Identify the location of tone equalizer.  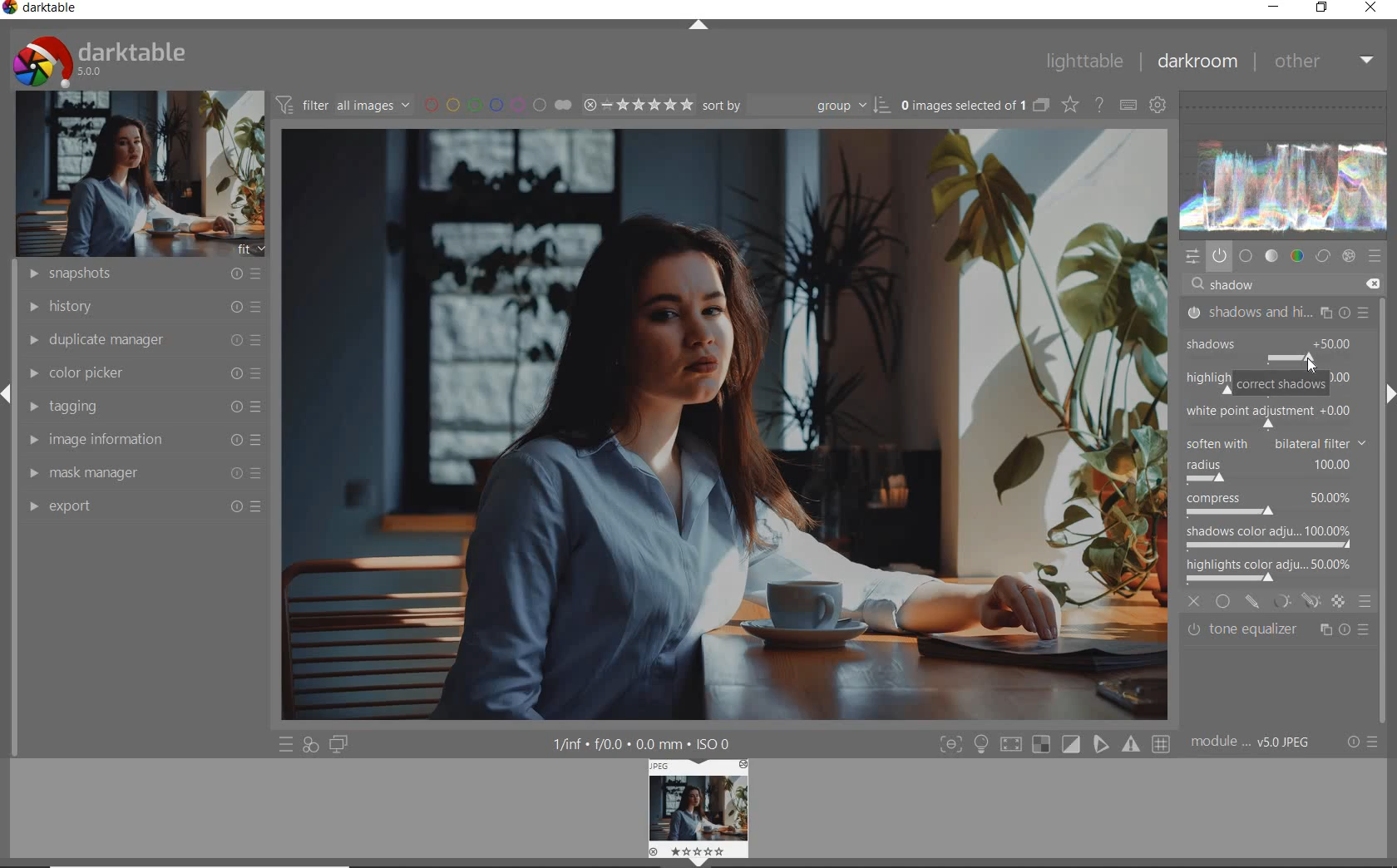
(1278, 633).